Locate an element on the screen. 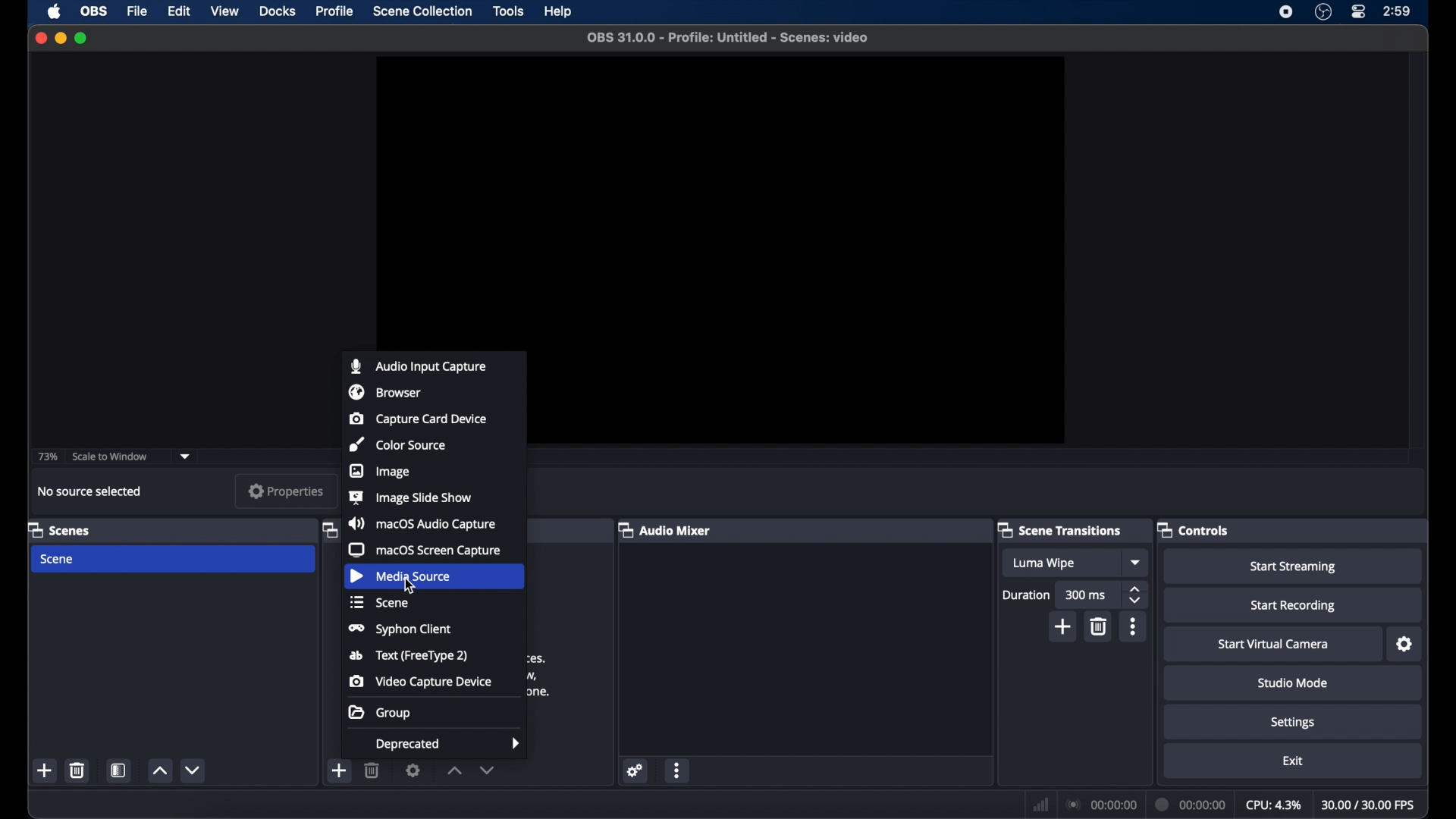  close is located at coordinates (40, 38).